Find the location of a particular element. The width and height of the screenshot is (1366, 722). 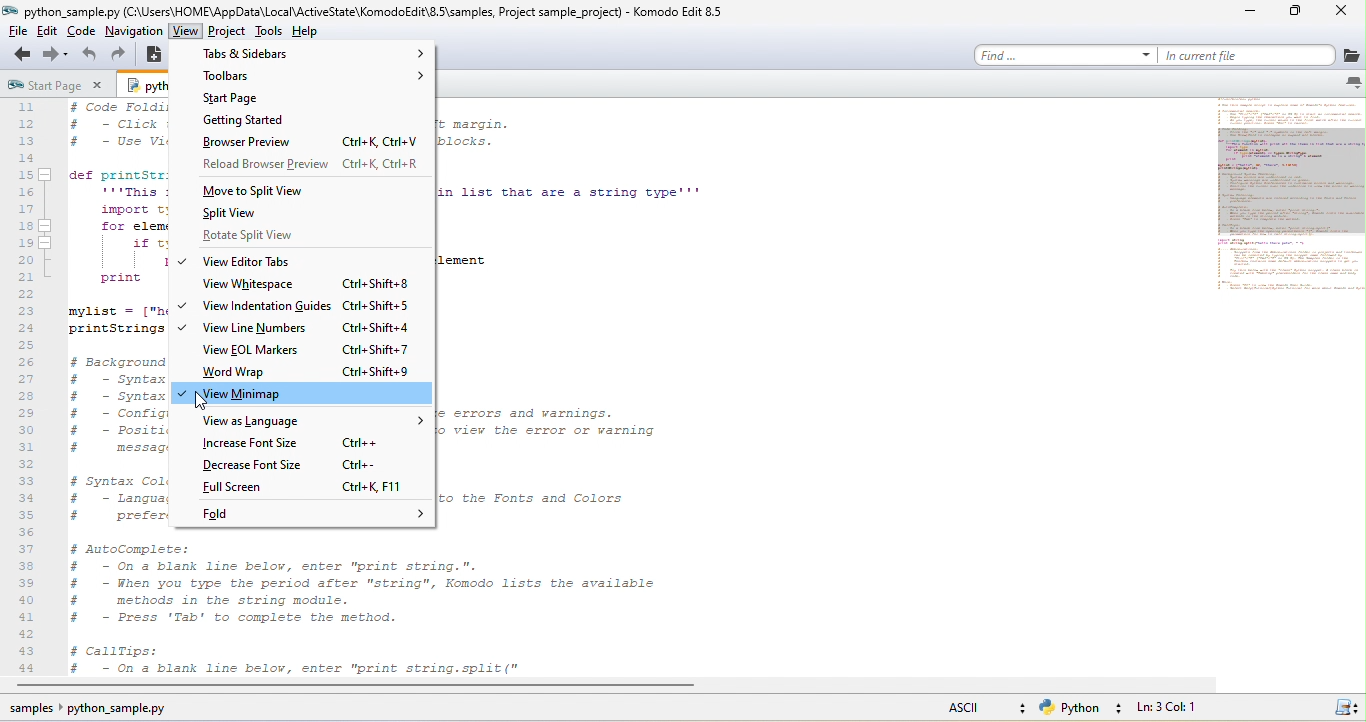

tabs and sidebars is located at coordinates (311, 55).